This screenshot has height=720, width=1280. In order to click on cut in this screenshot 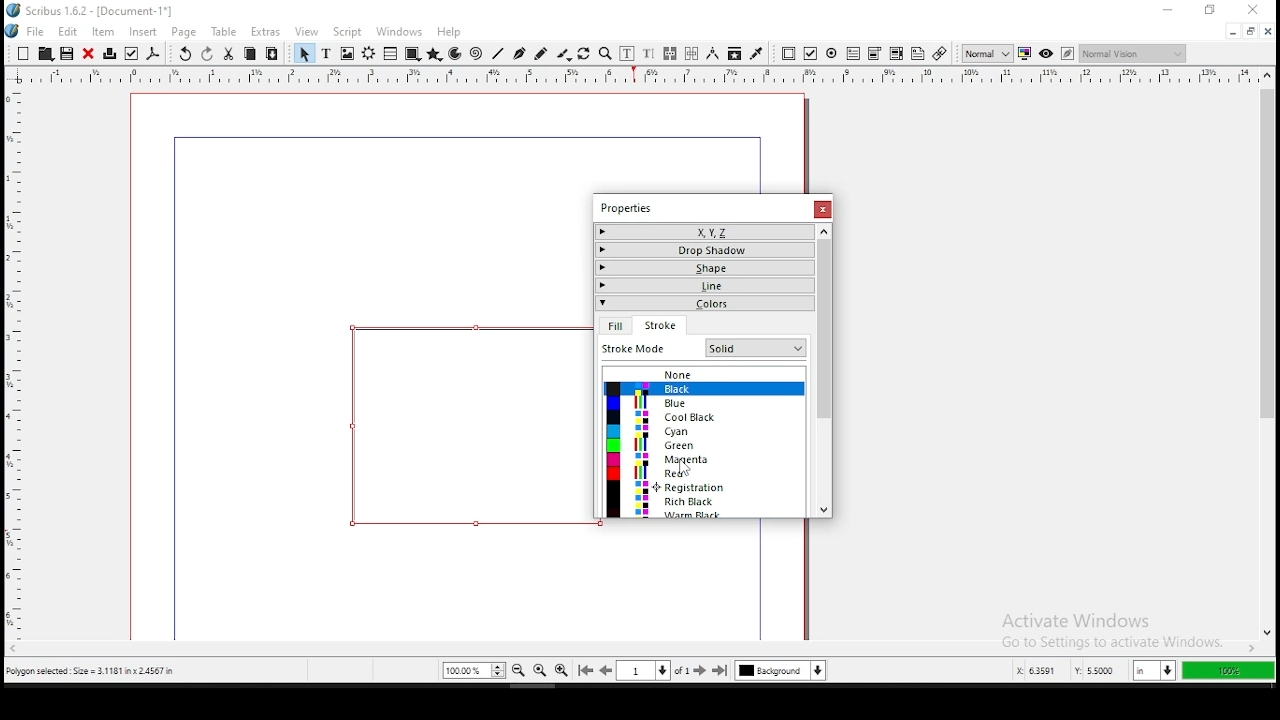, I will do `click(229, 55)`.